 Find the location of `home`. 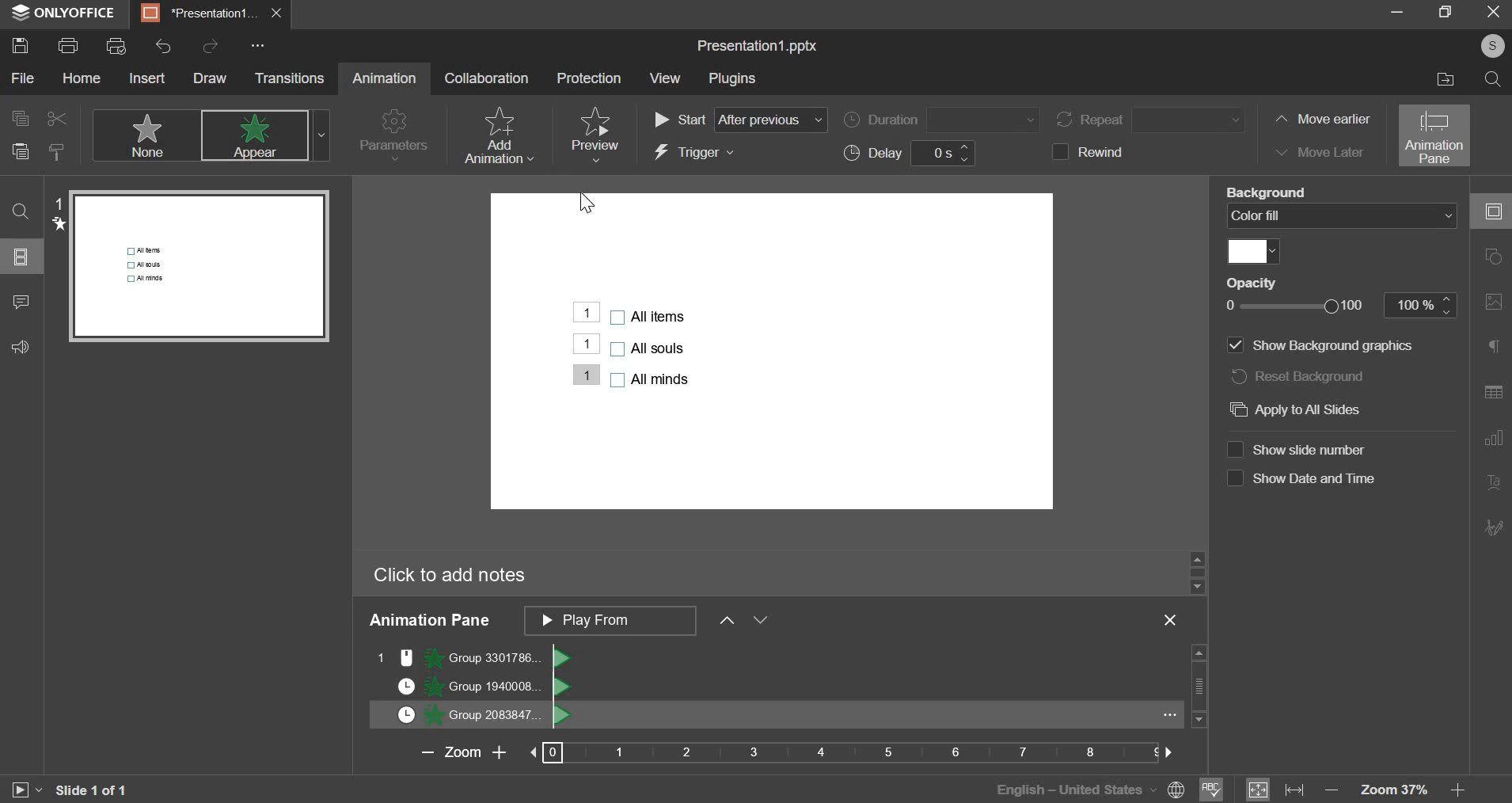

home is located at coordinates (82, 78).